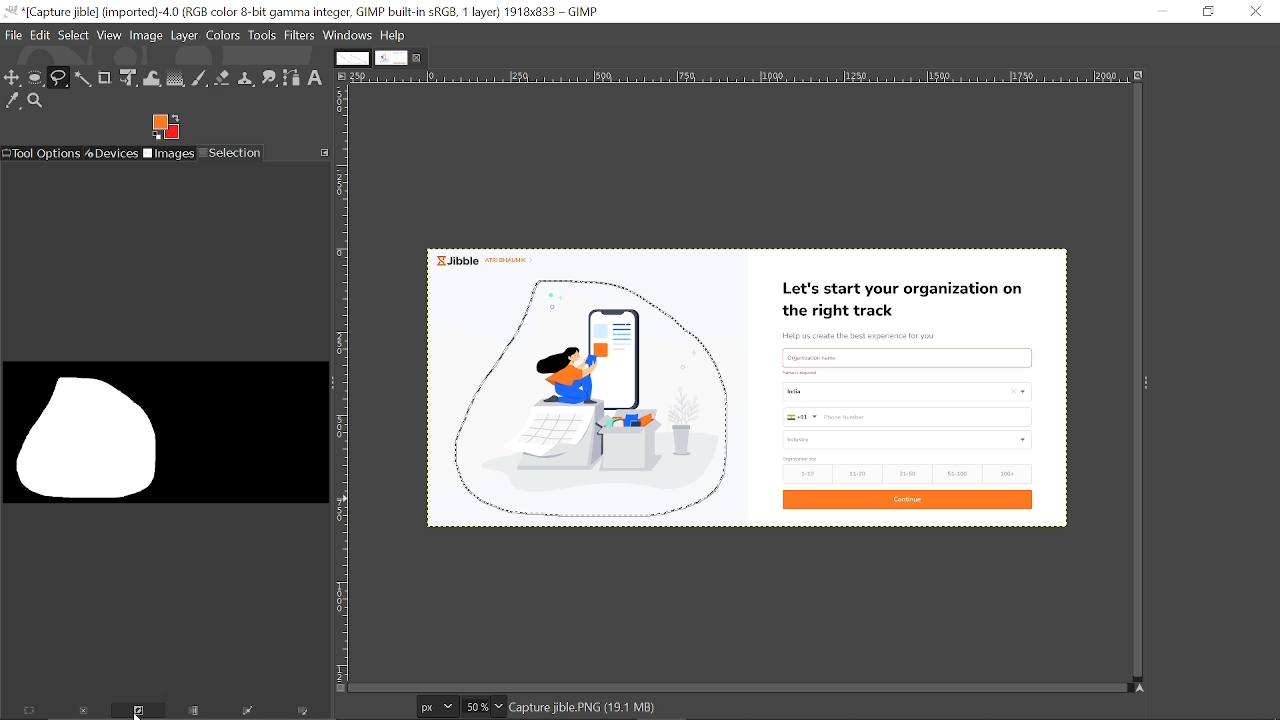 The height and width of the screenshot is (720, 1280). Describe the element at coordinates (342, 77) in the screenshot. I see `Access this image menu` at that location.